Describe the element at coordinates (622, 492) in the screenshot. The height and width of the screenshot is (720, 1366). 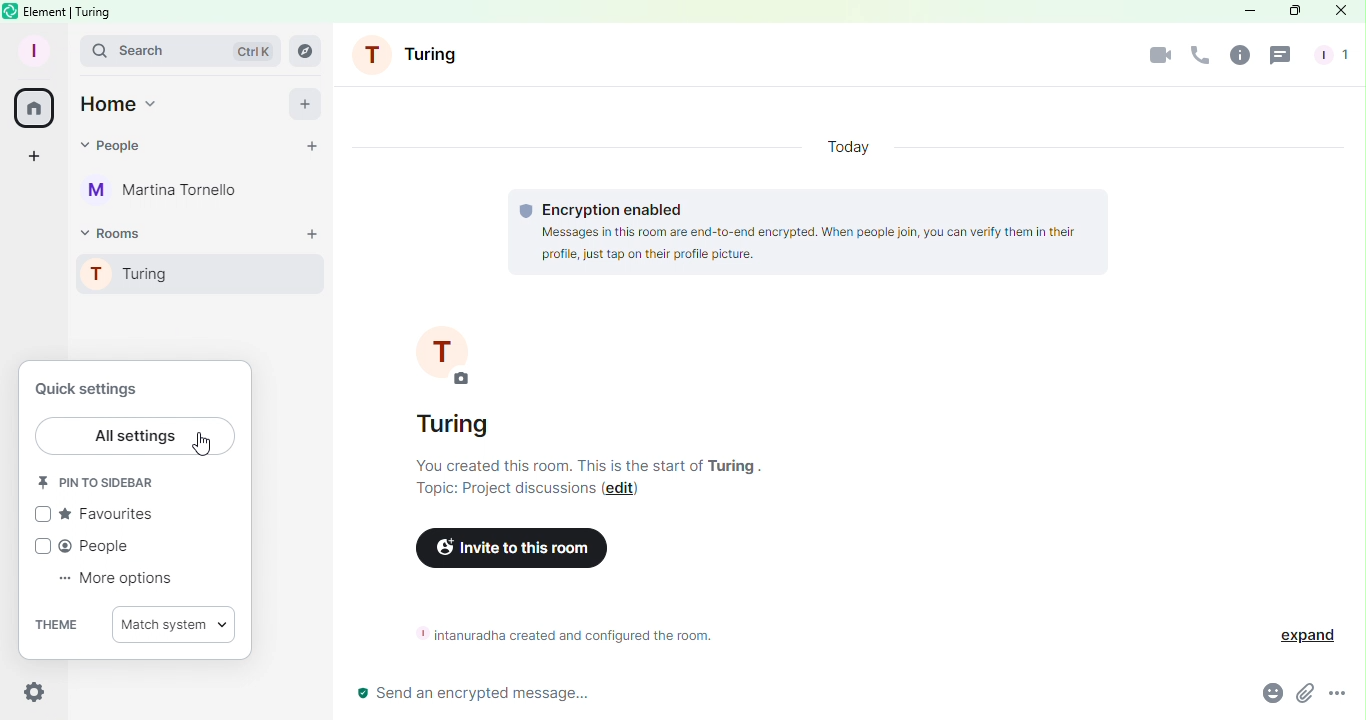
I see `Edit` at that location.